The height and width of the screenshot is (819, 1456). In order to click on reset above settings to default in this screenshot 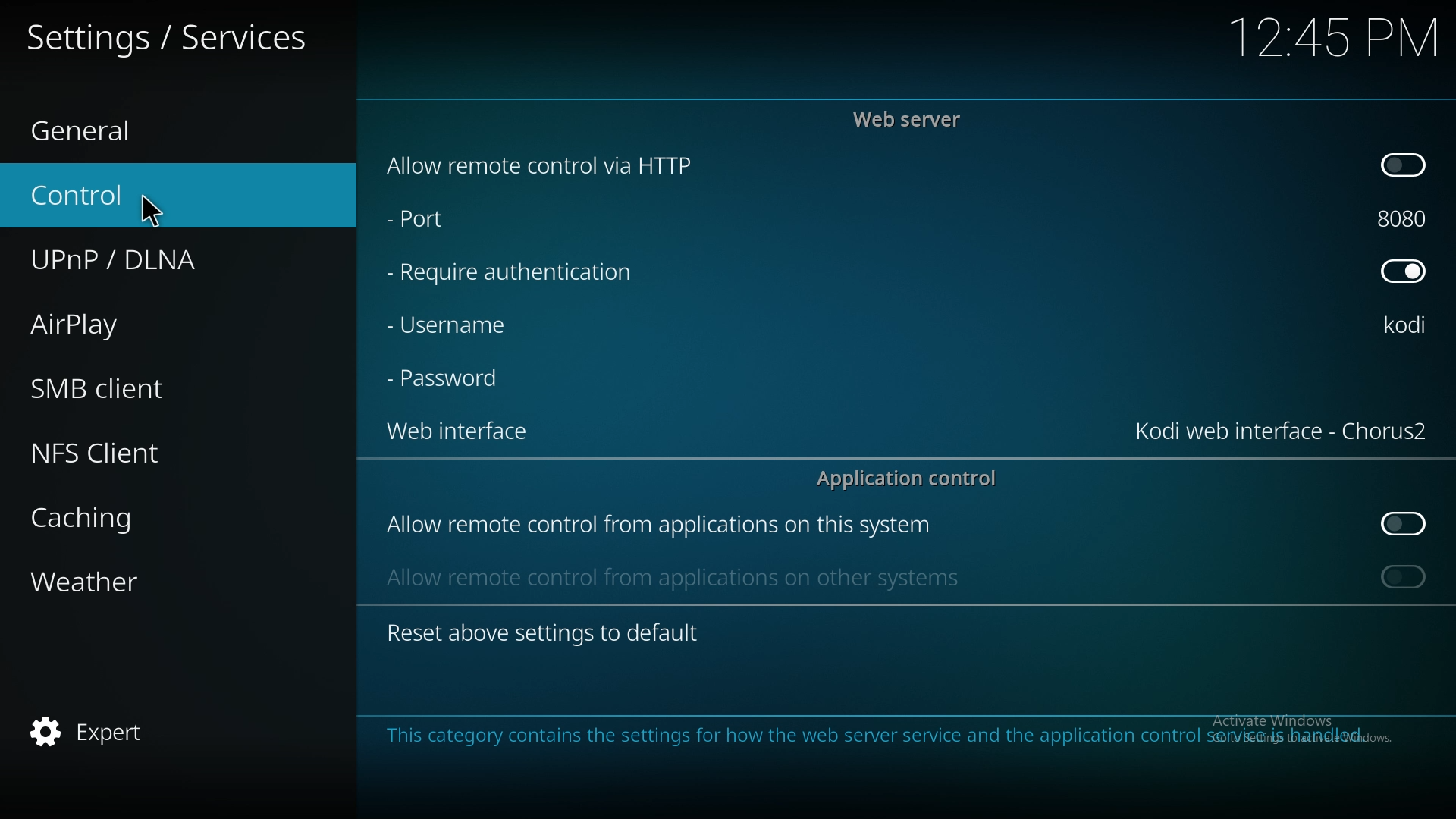, I will do `click(542, 632)`.